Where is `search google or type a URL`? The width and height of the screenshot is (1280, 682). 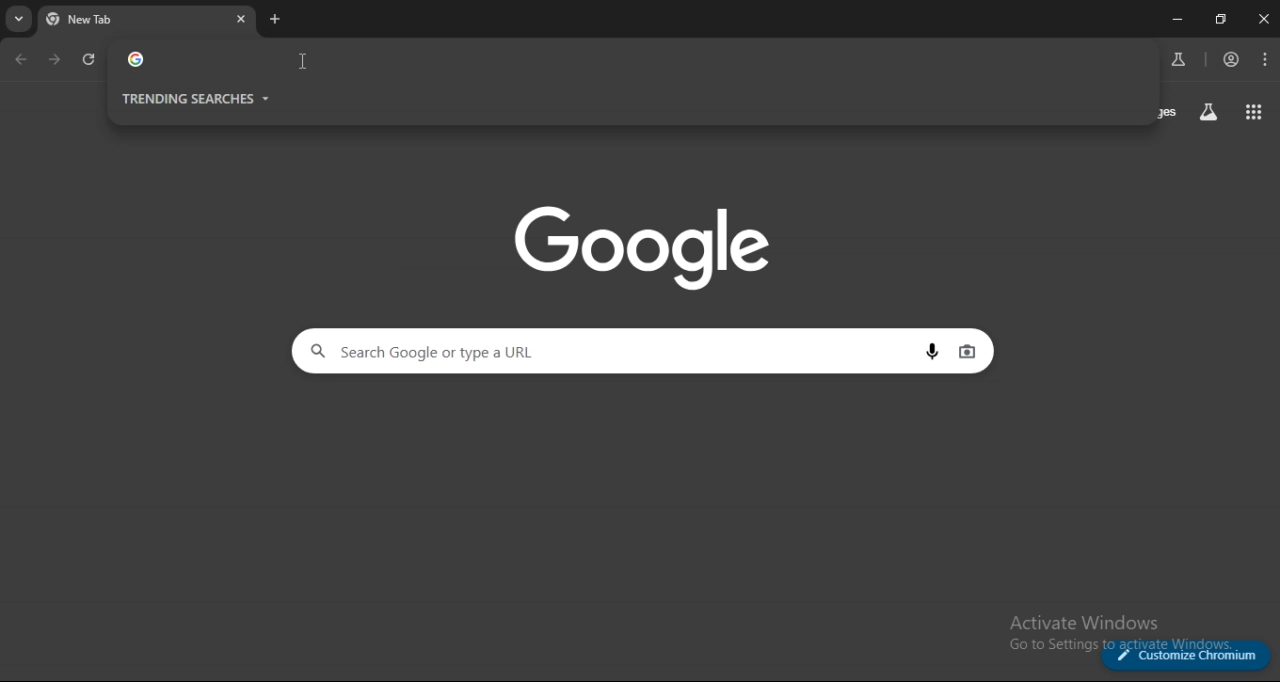 search google or type a URL is located at coordinates (612, 351).